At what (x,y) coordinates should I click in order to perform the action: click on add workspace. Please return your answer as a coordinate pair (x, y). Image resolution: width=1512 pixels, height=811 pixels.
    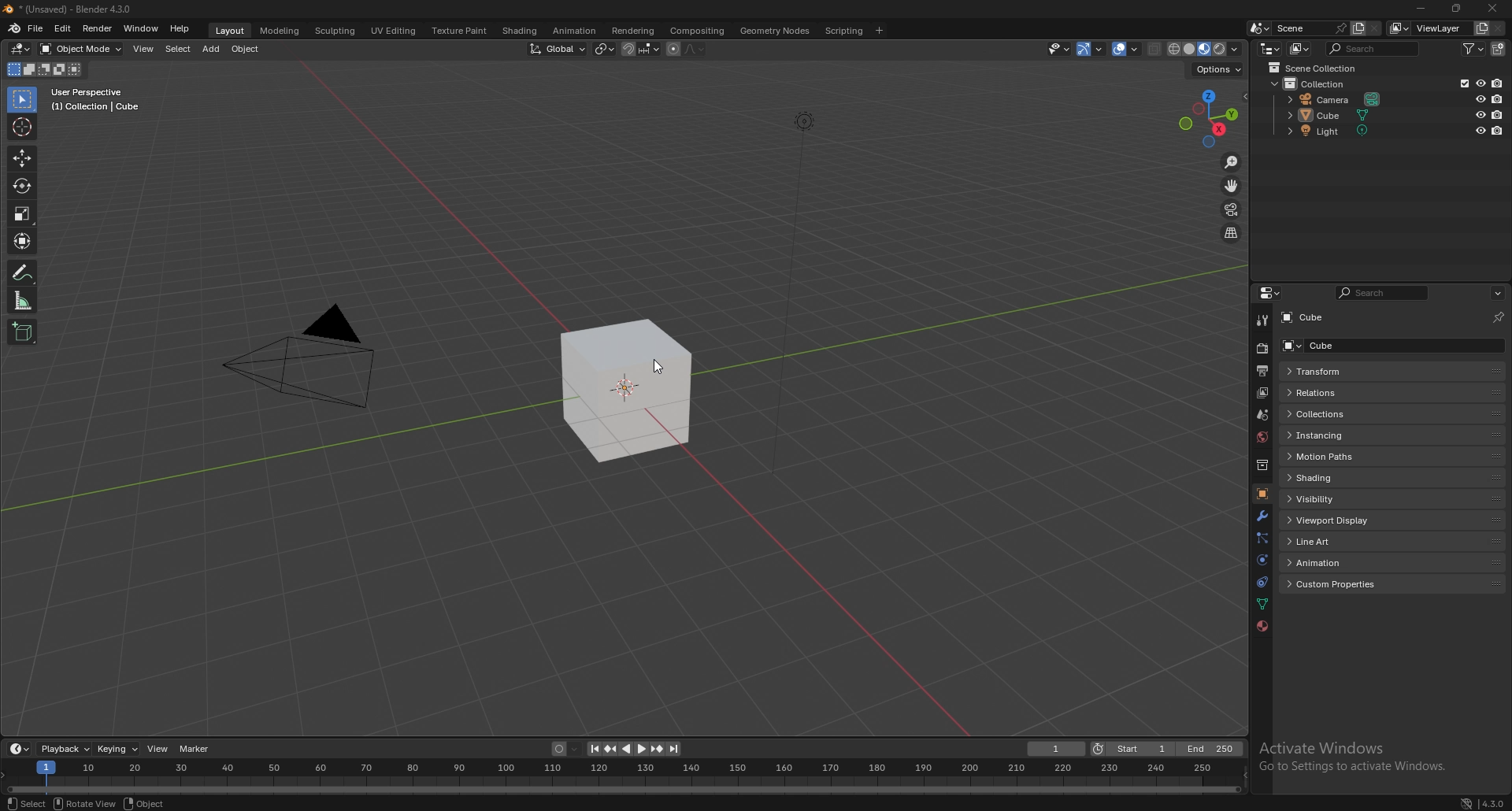
    Looking at the image, I should click on (879, 31).